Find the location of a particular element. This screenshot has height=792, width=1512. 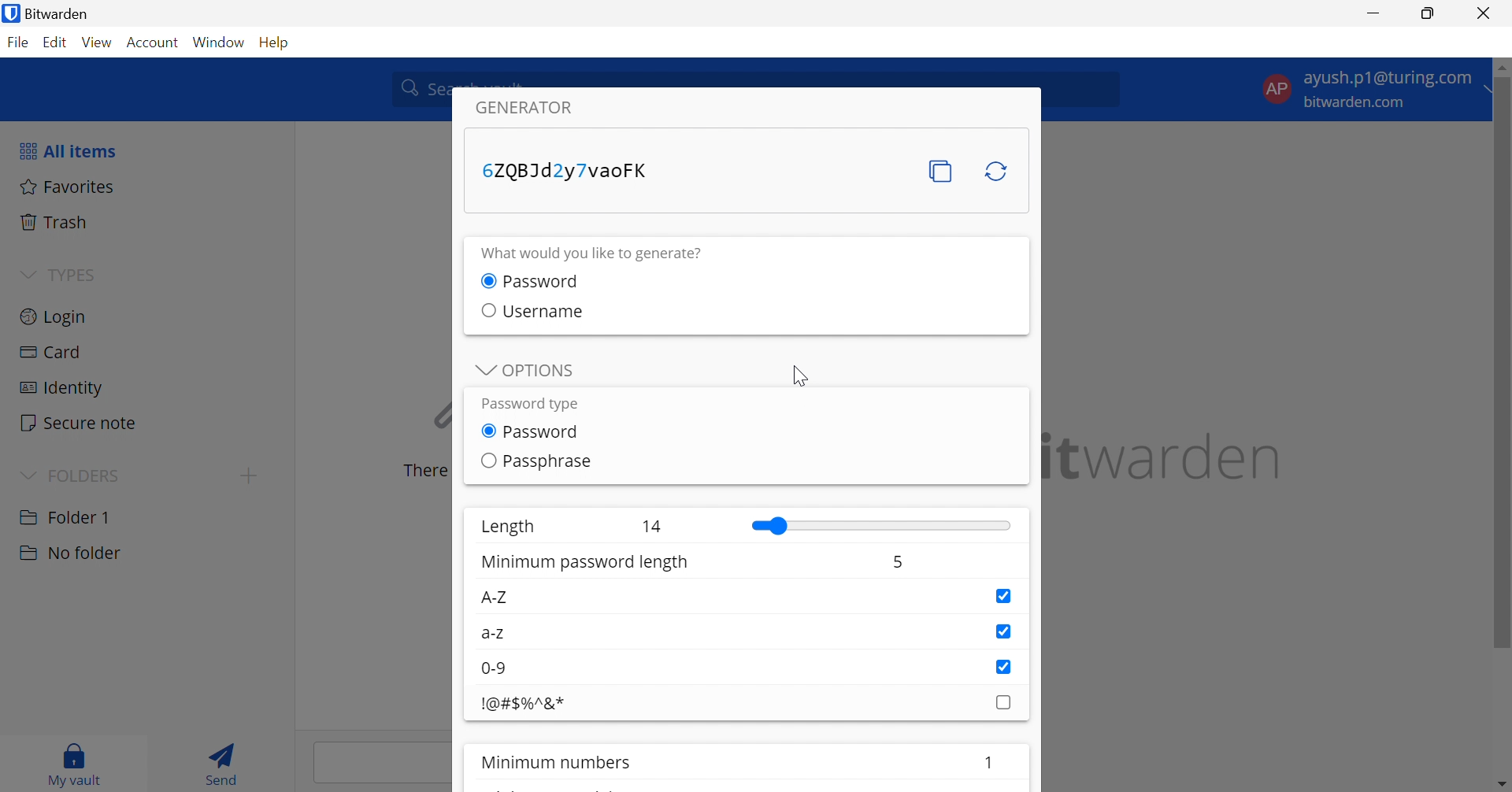

14 is located at coordinates (654, 526).